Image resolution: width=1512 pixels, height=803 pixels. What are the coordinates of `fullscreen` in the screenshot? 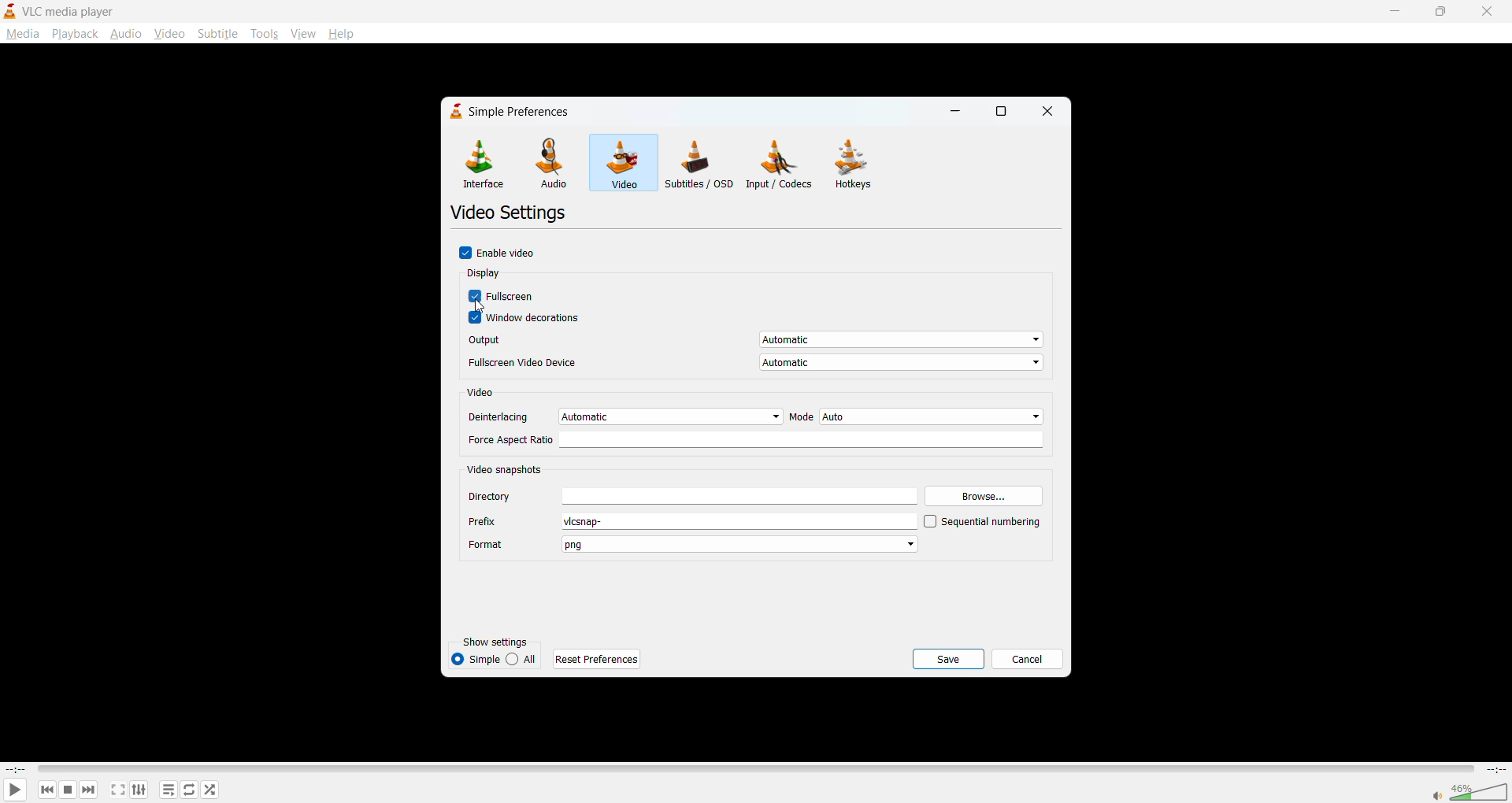 It's located at (117, 789).